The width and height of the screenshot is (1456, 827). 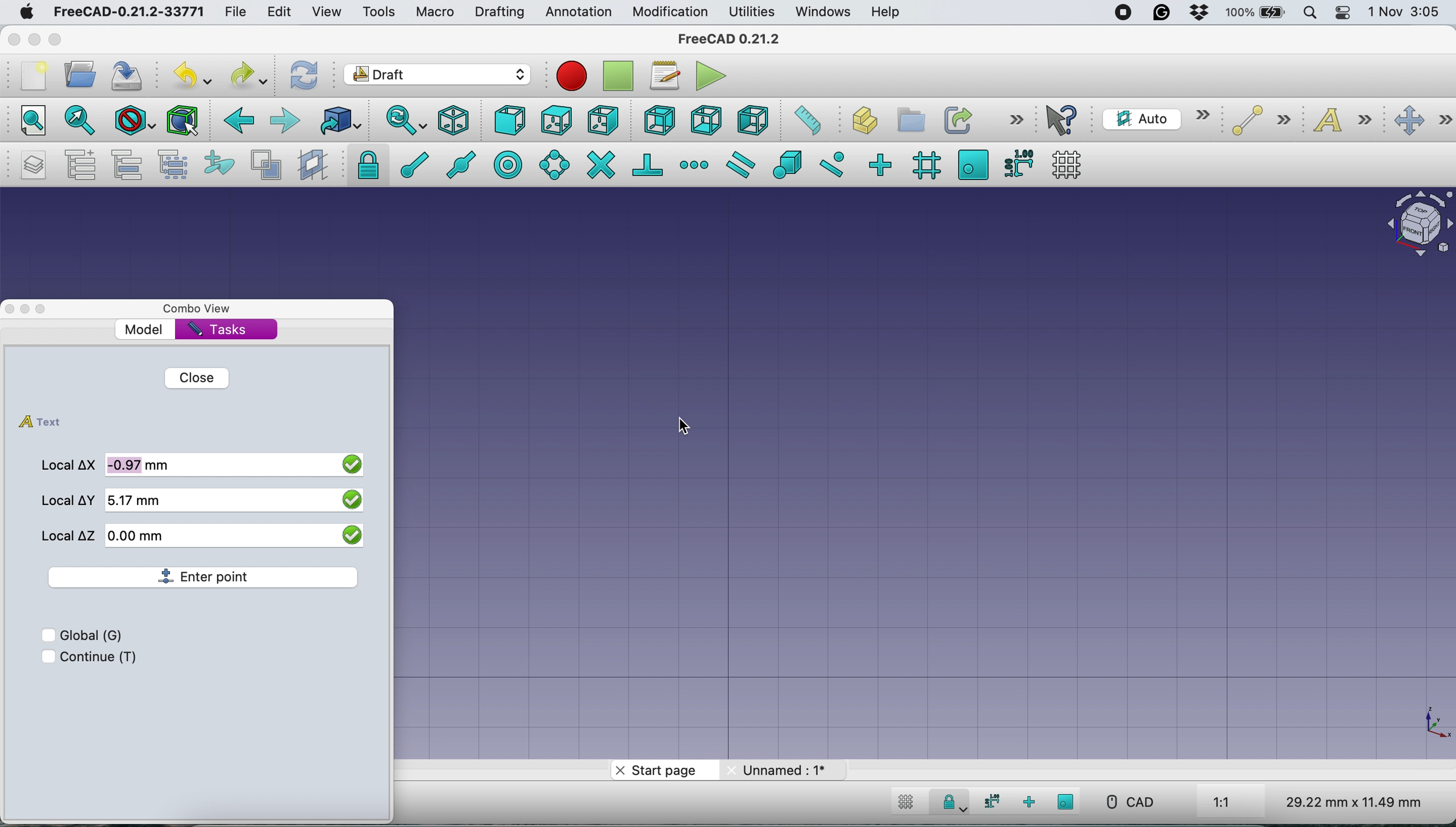 I want to click on snap lock, so click(x=949, y=801).